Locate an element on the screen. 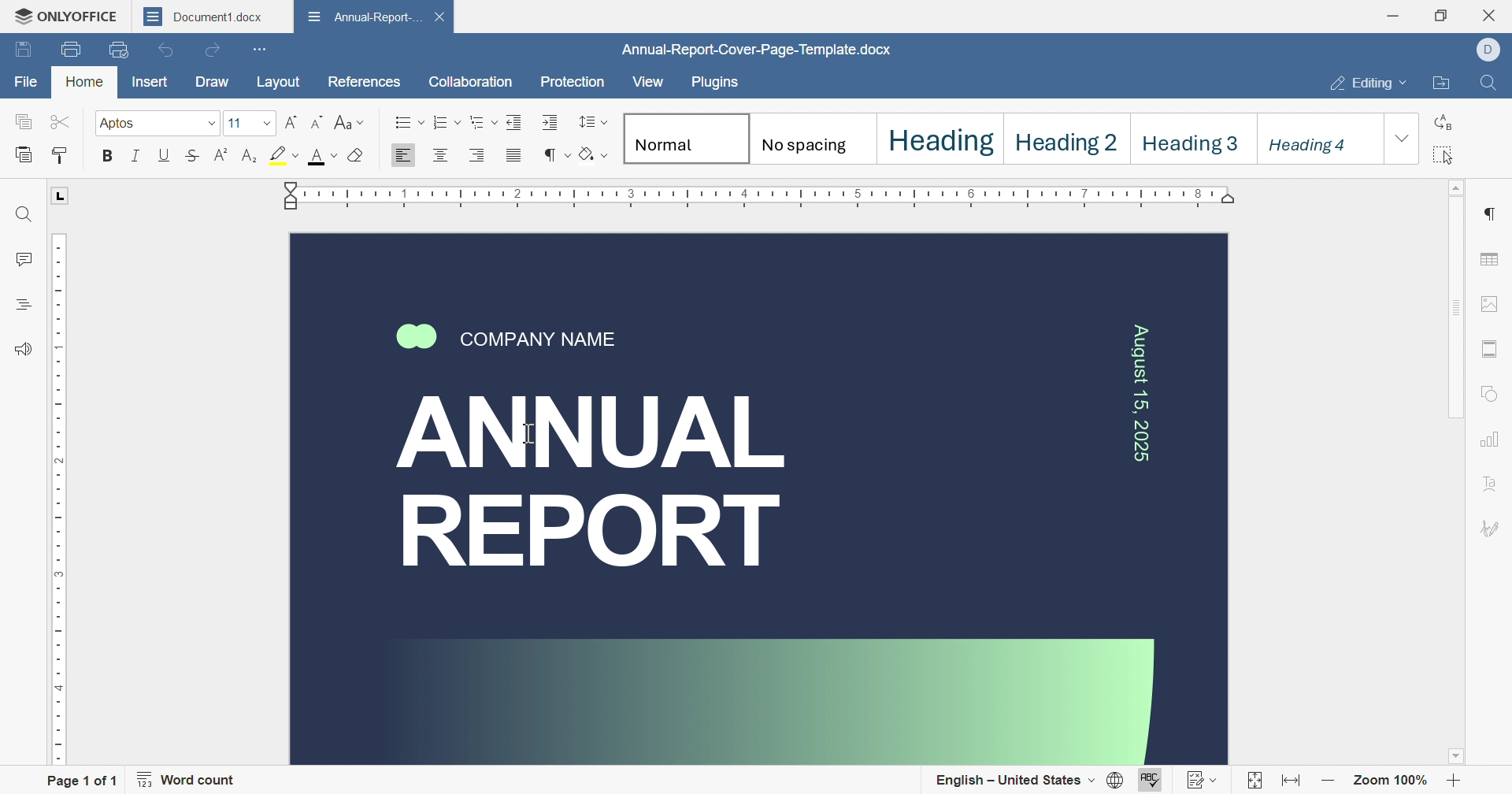  close is located at coordinates (1492, 17).